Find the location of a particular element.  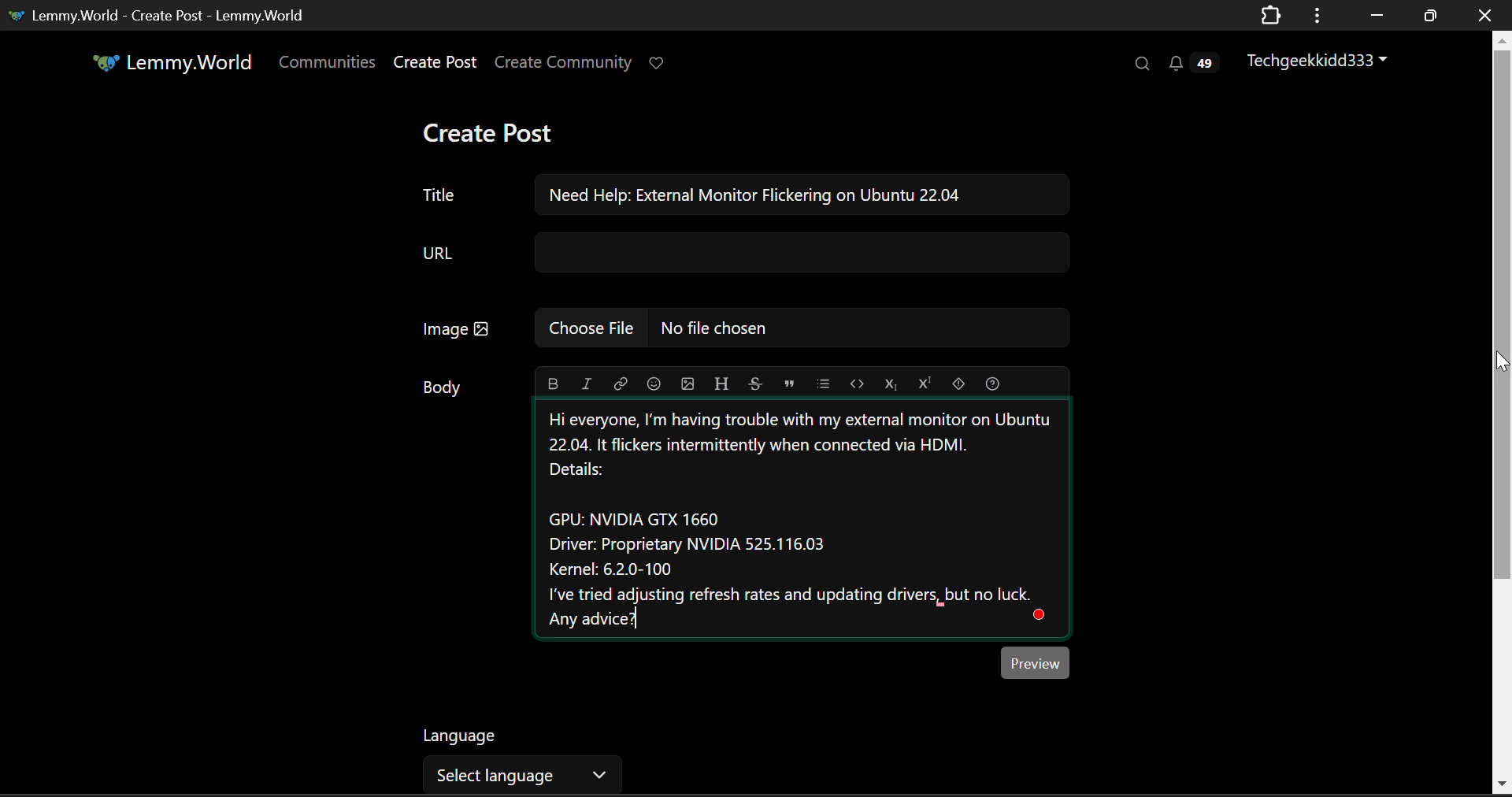

Vertical Scroll Bar is located at coordinates (1503, 414).